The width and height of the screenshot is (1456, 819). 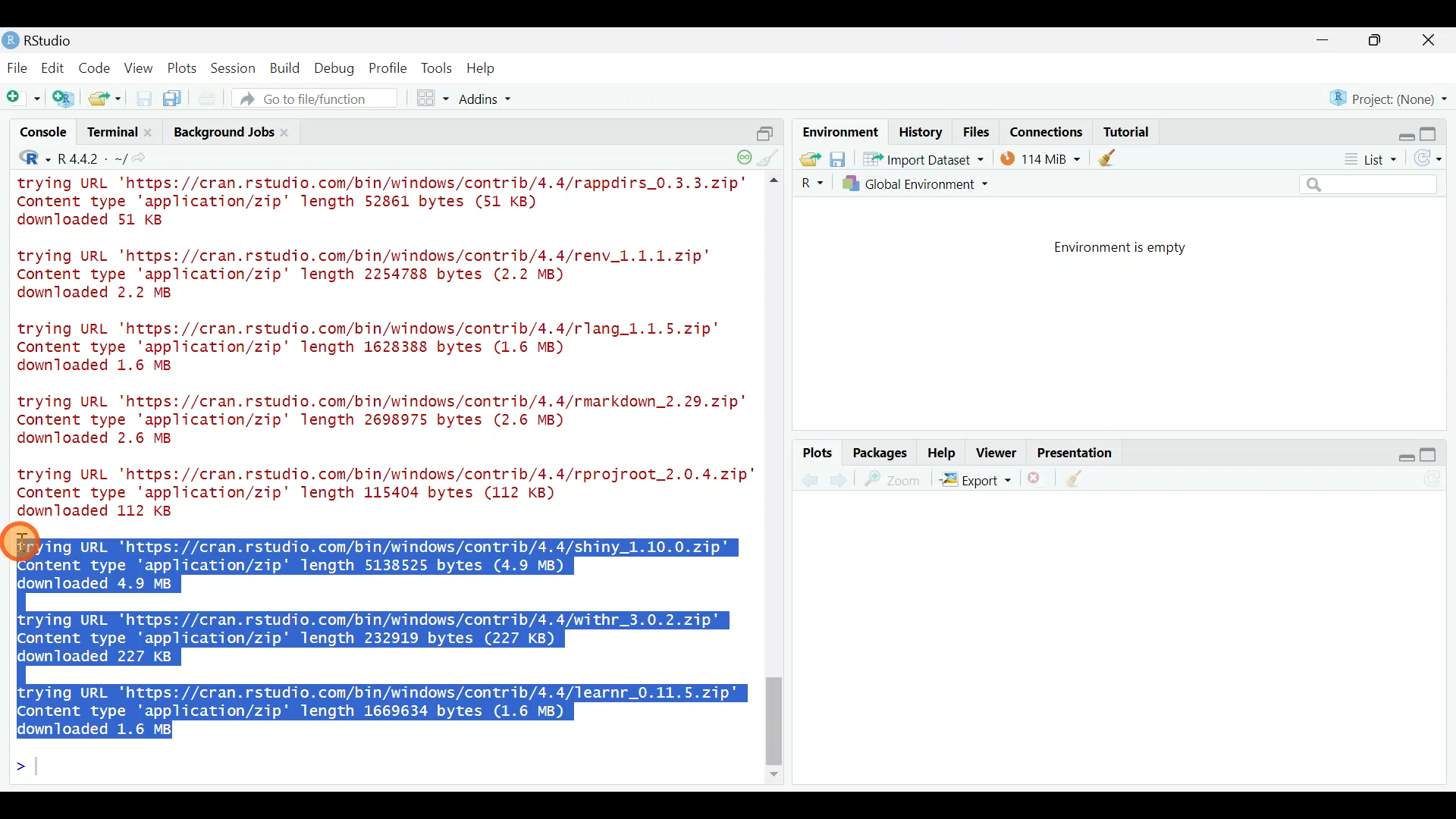 I want to click on Profile, so click(x=388, y=67).